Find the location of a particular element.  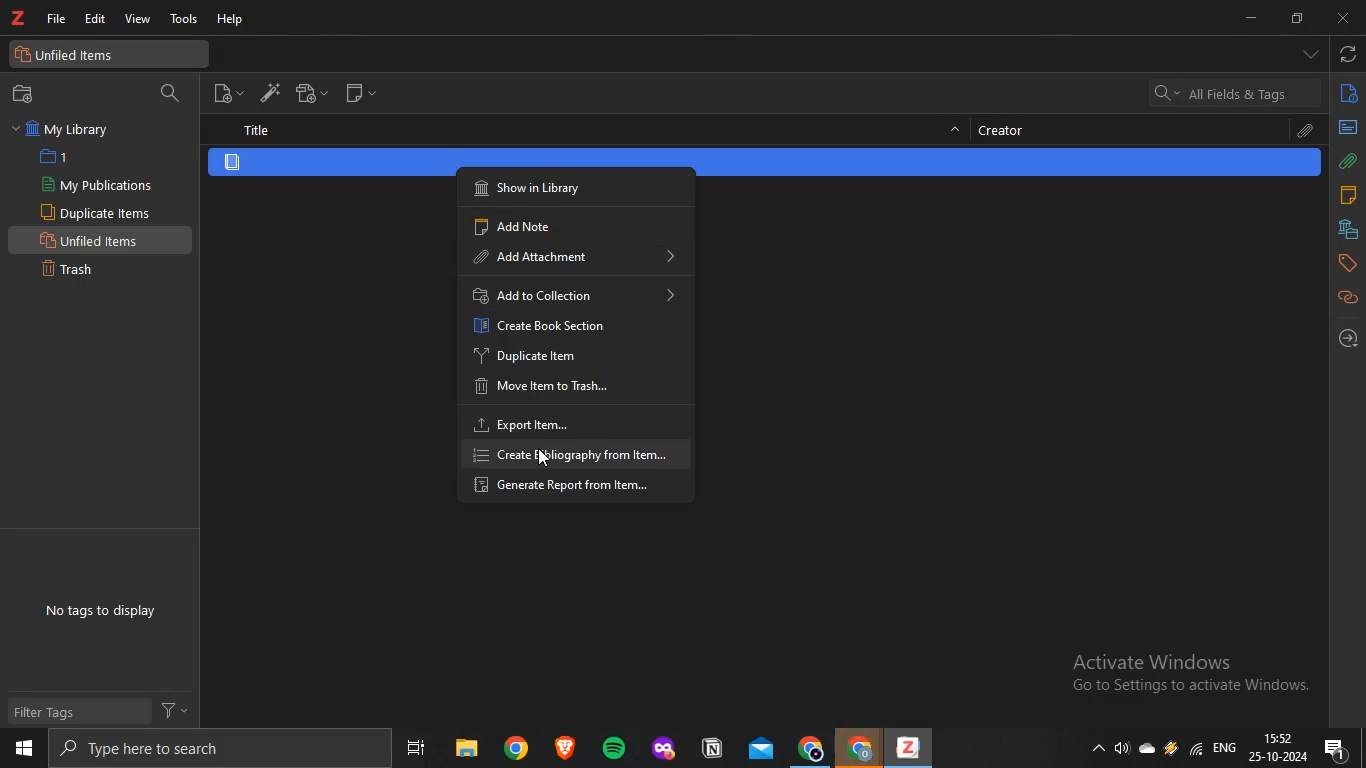

chrome is located at coordinates (516, 747).